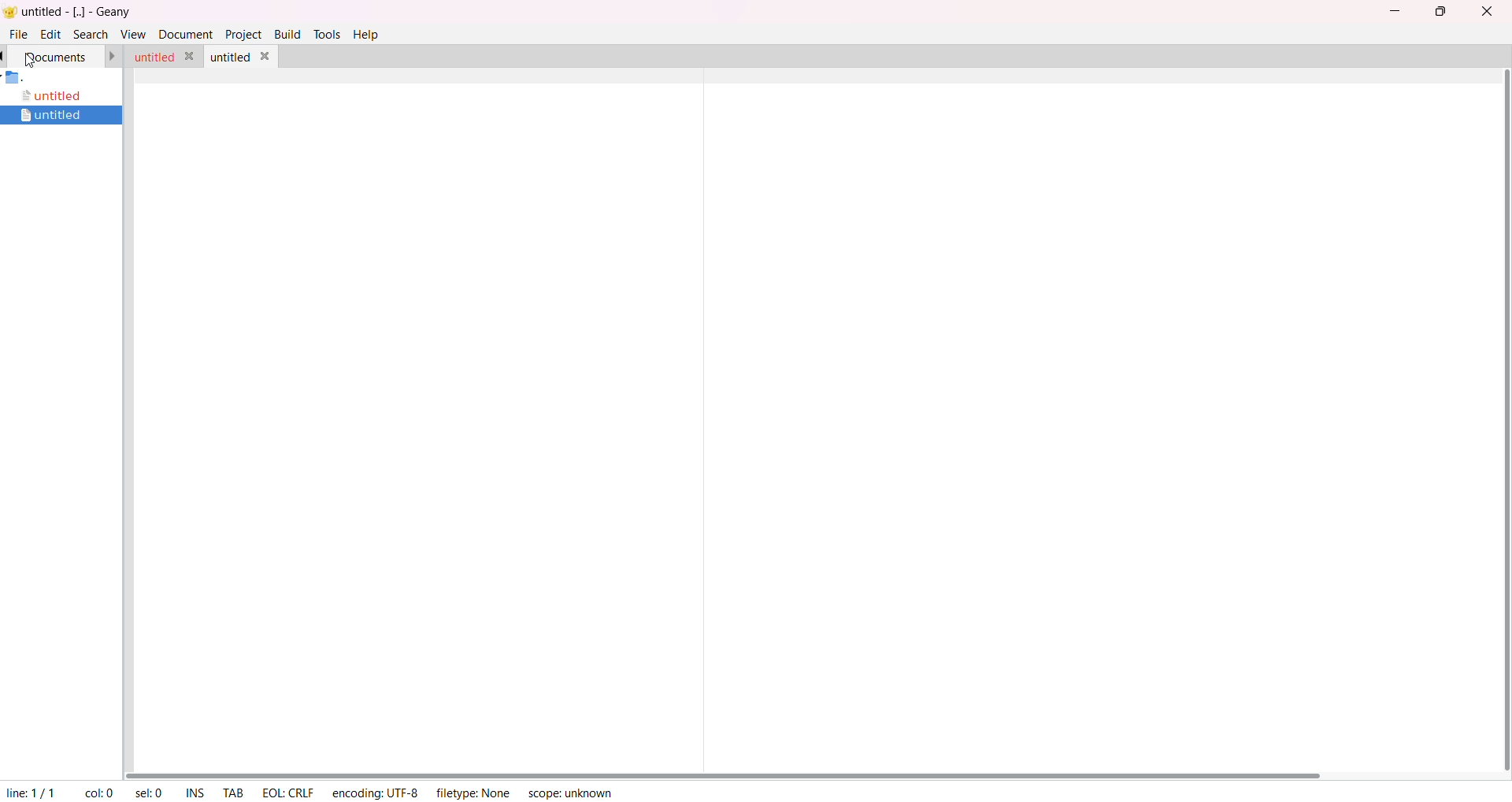 Image resolution: width=1512 pixels, height=802 pixels. I want to click on documents, so click(57, 56).